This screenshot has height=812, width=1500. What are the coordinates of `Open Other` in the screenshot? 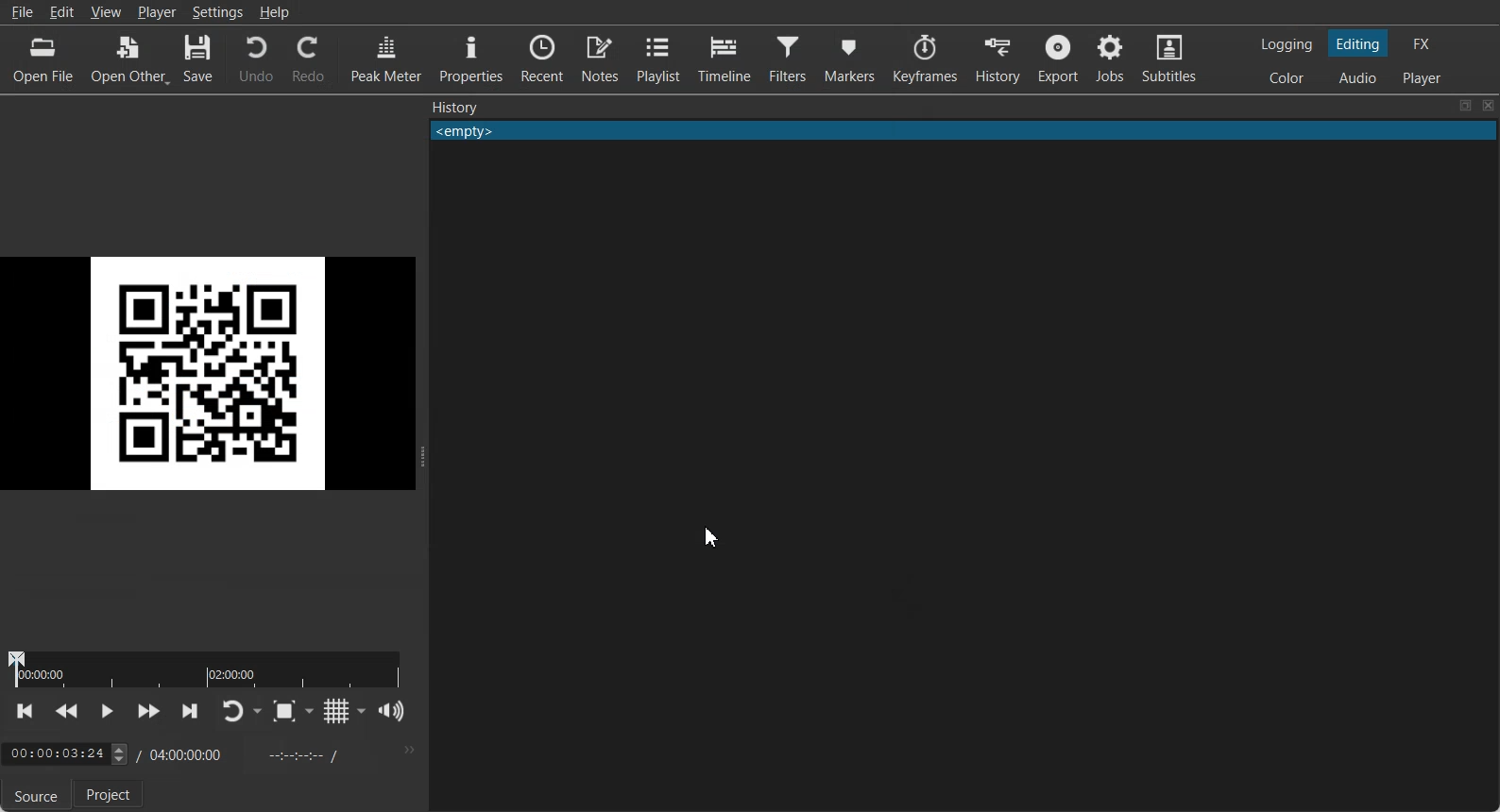 It's located at (130, 59).